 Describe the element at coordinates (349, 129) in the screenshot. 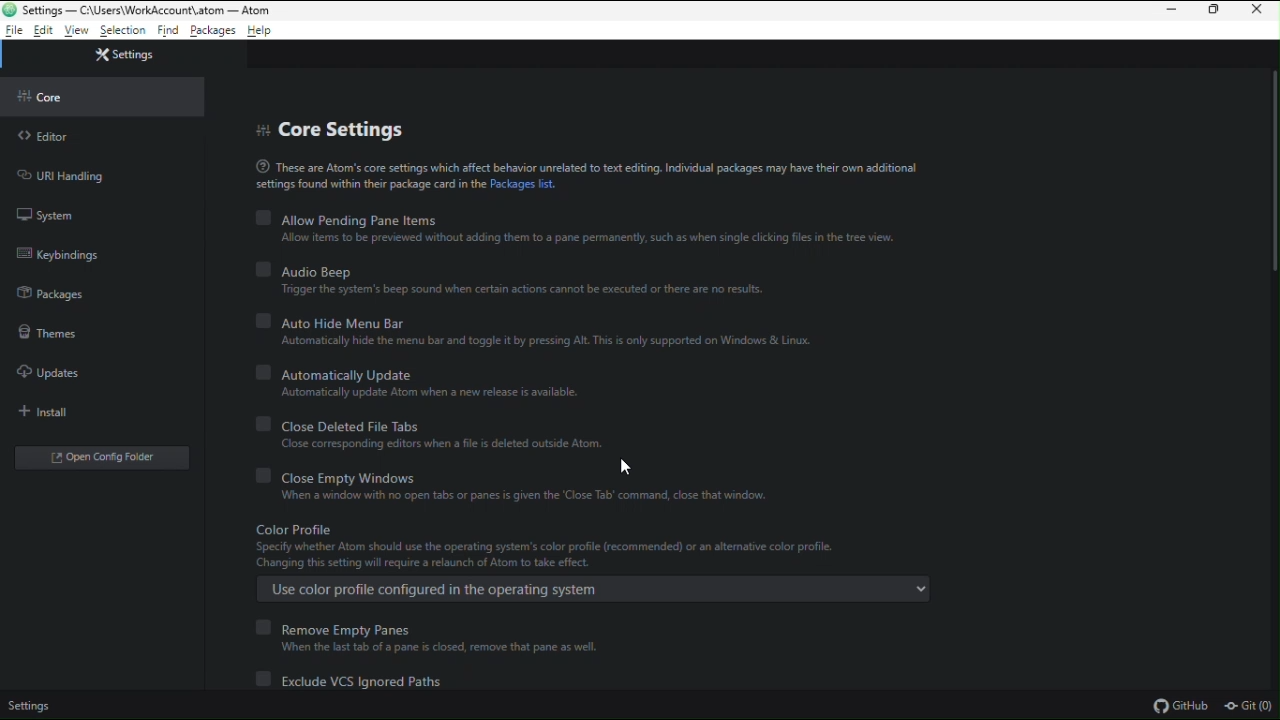

I see `Core settings` at that location.